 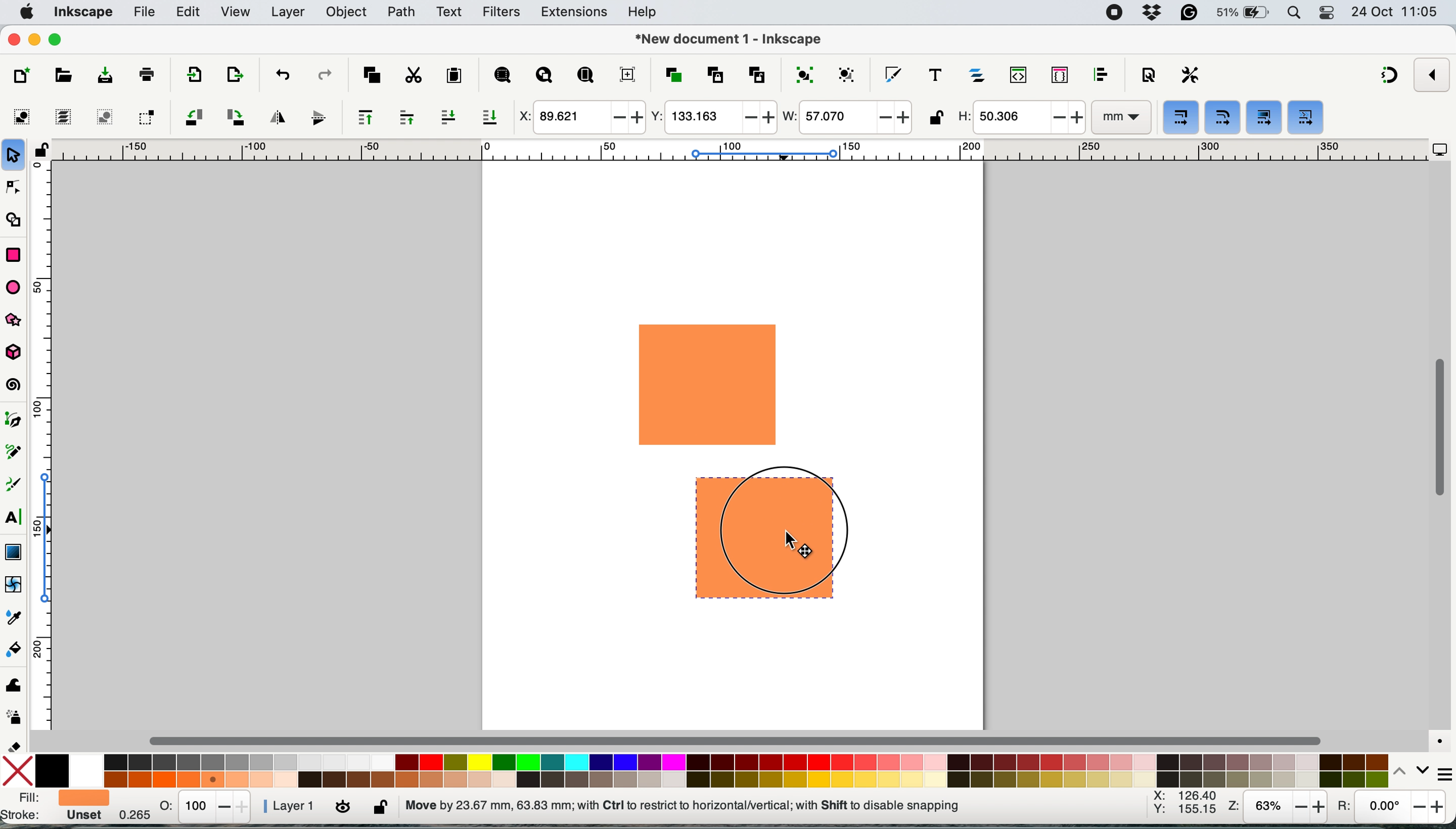 I want to click on mesh tool, so click(x=15, y=586).